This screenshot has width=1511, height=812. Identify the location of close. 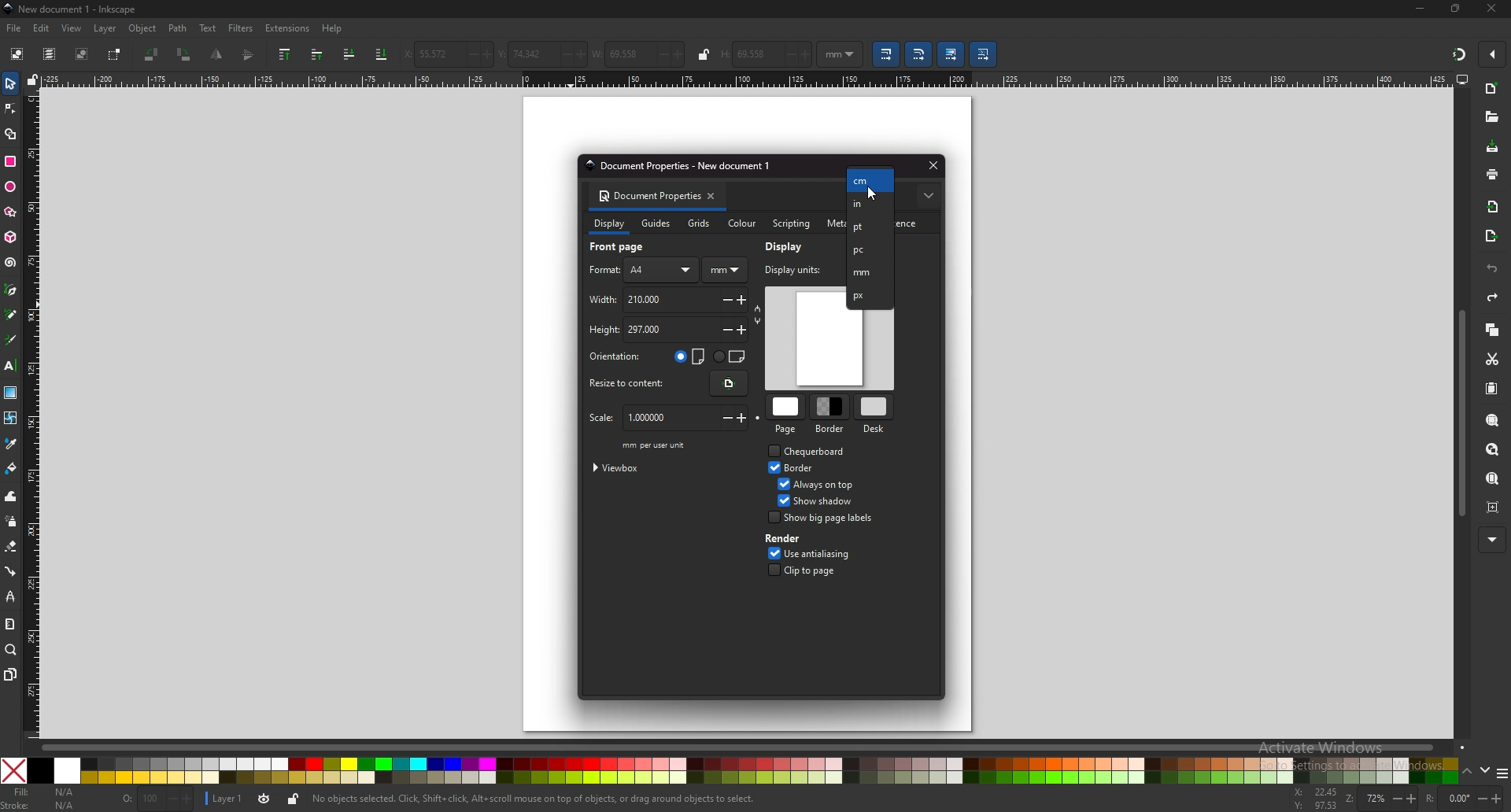
(930, 165).